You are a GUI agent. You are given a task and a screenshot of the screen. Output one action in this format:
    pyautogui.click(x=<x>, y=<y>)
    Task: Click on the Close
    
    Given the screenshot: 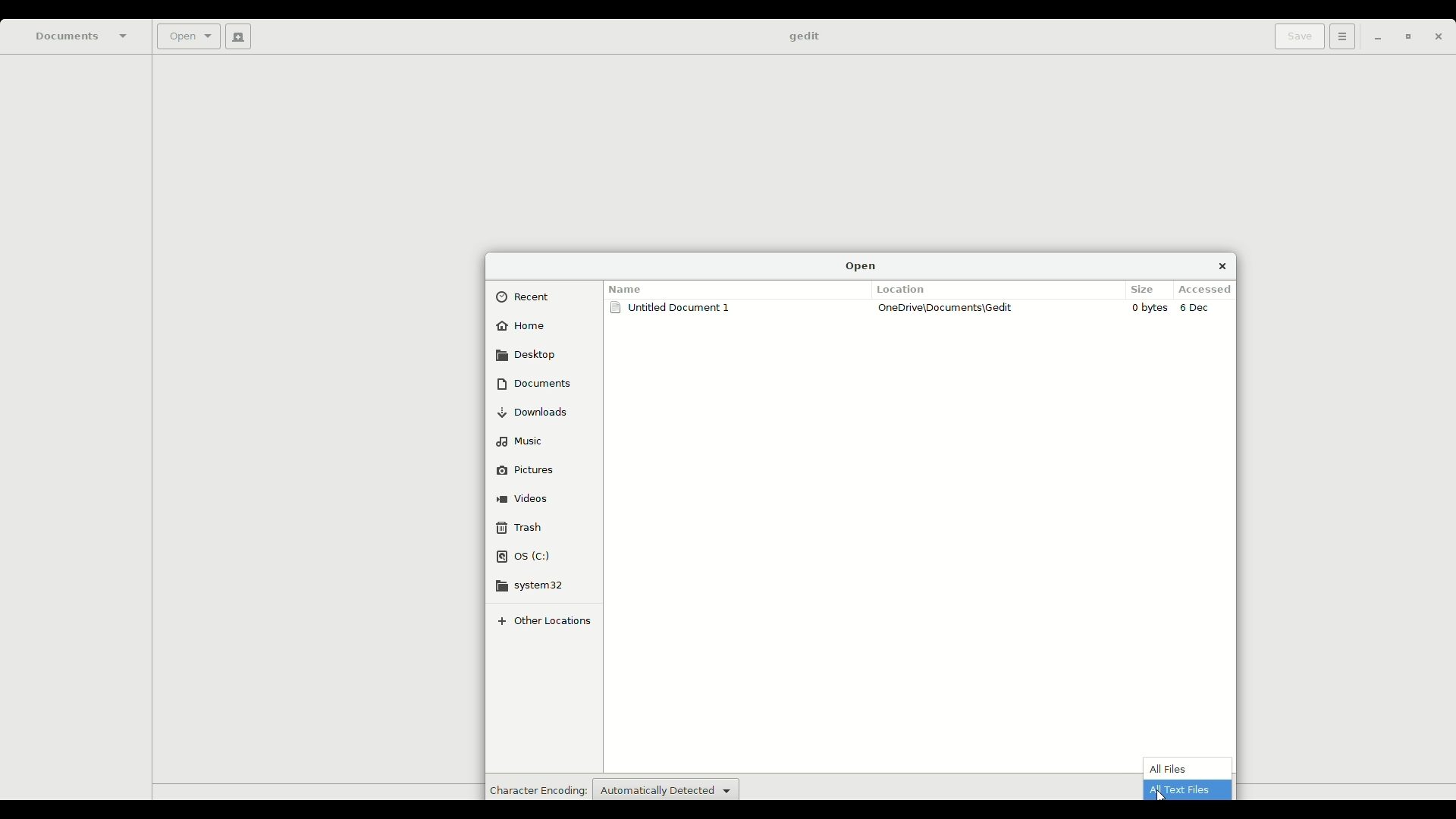 What is the action you would take?
    pyautogui.click(x=1222, y=265)
    